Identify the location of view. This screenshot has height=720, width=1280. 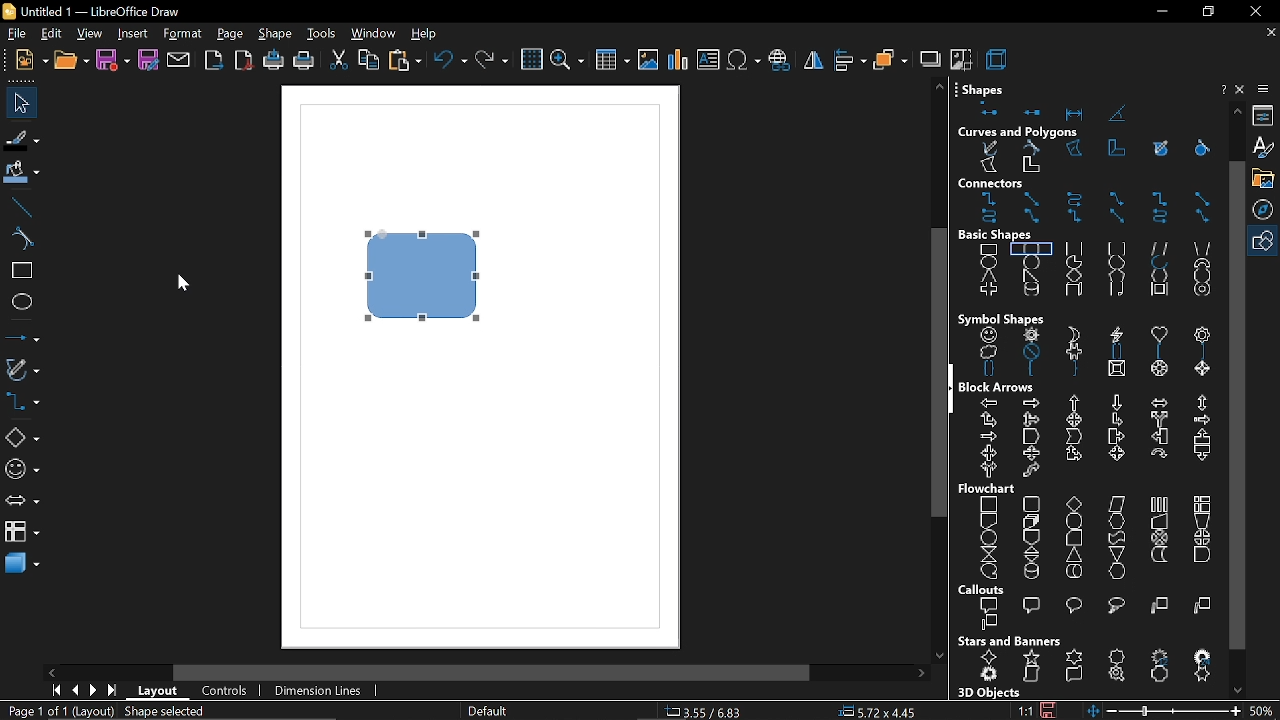
(90, 35).